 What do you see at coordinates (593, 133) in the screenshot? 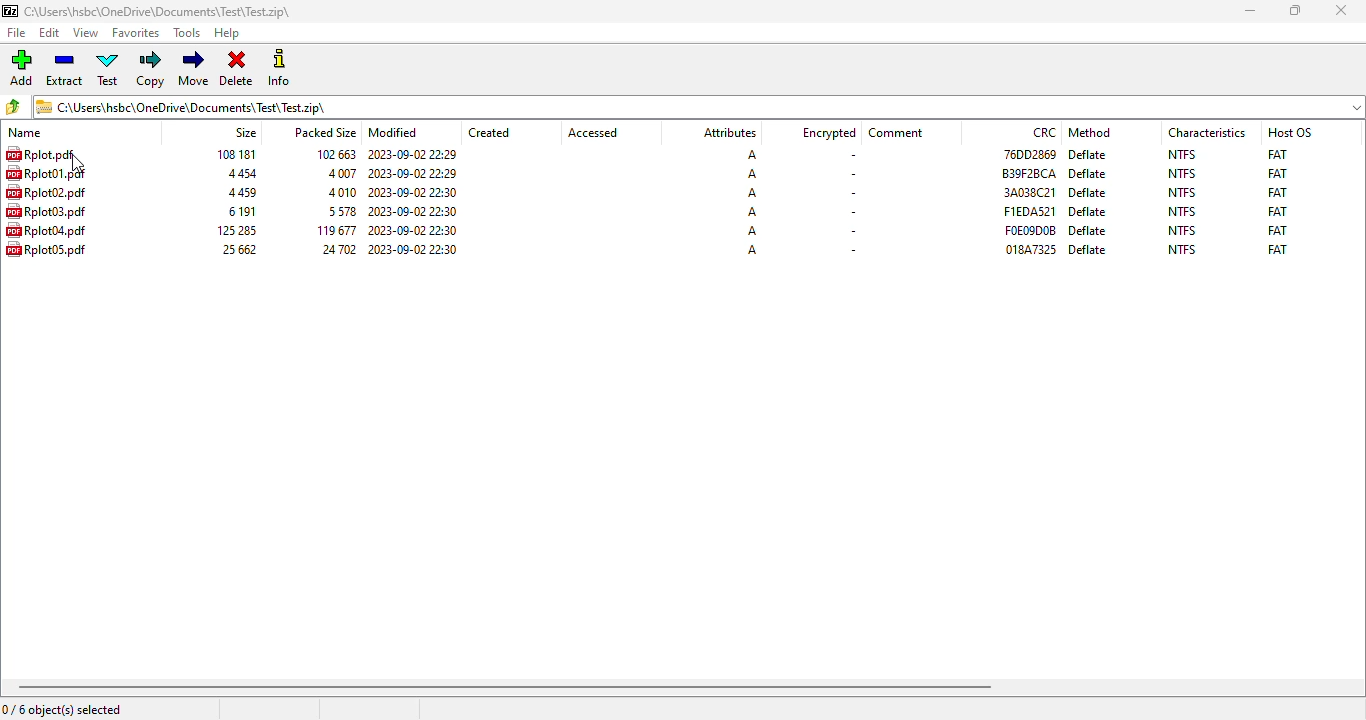
I see `accessed` at bounding box center [593, 133].